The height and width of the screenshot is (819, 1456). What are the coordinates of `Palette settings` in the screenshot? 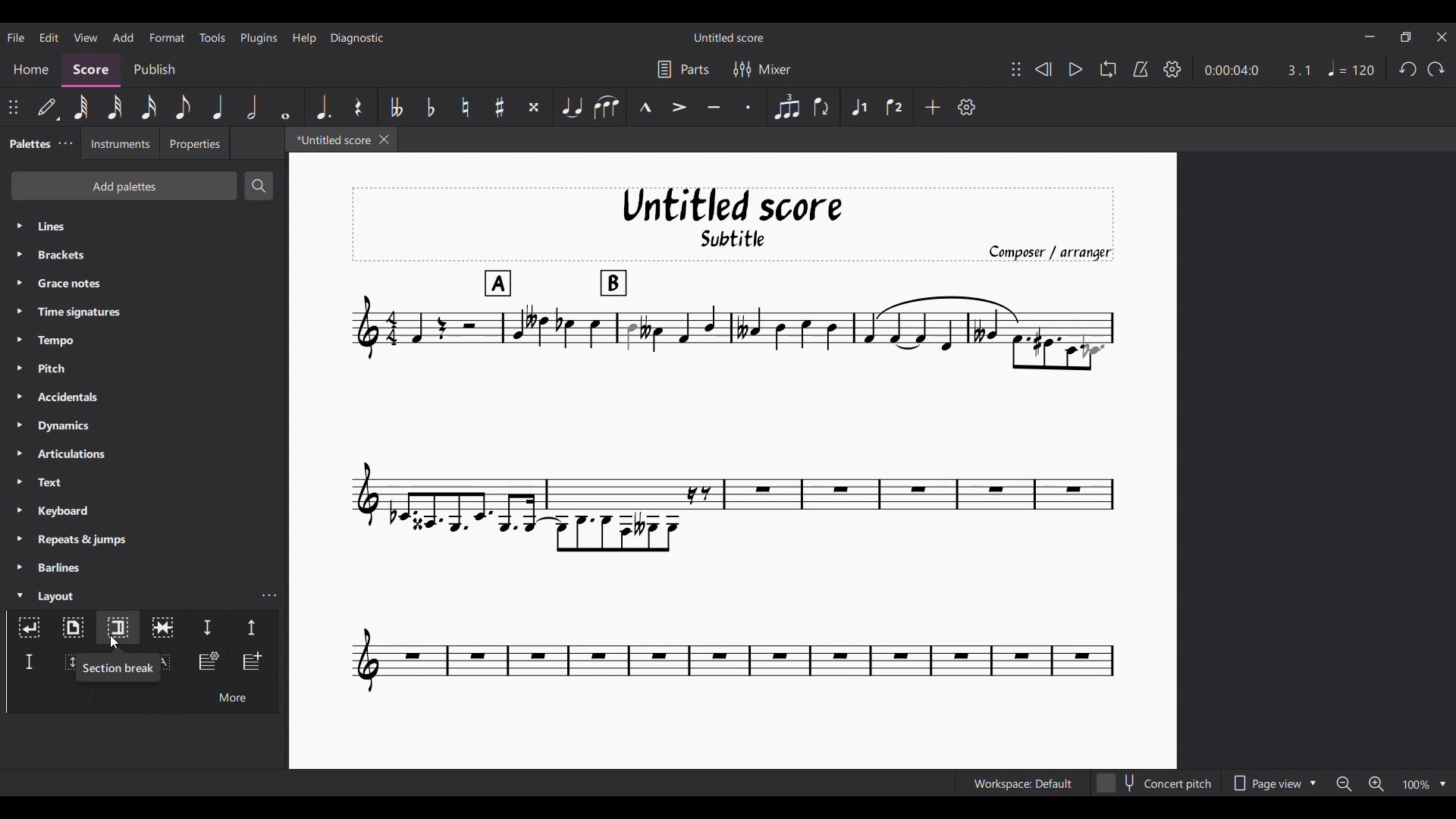 It's located at (66, 143).